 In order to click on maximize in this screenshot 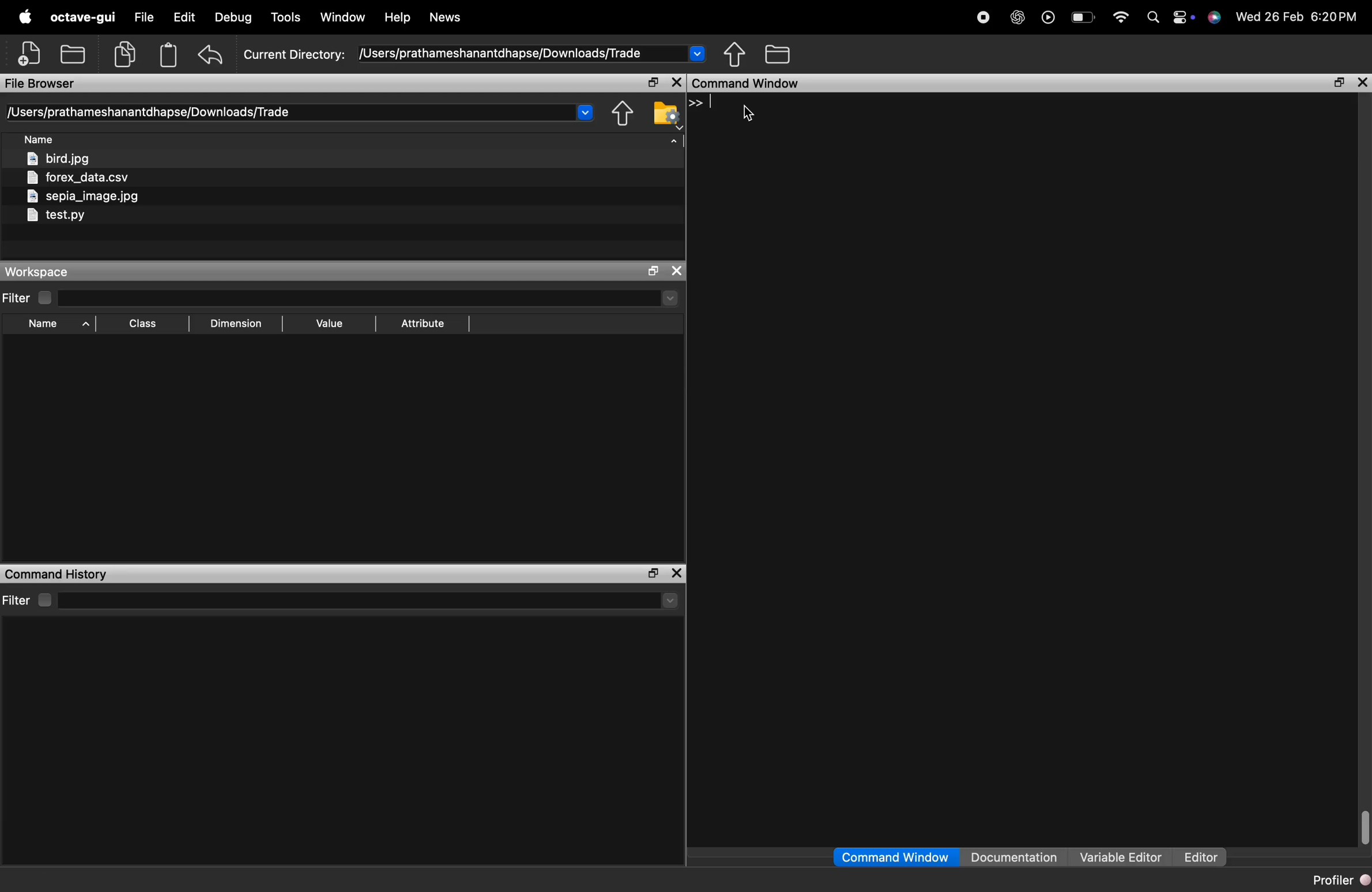, I will do `click(651, 574)`.